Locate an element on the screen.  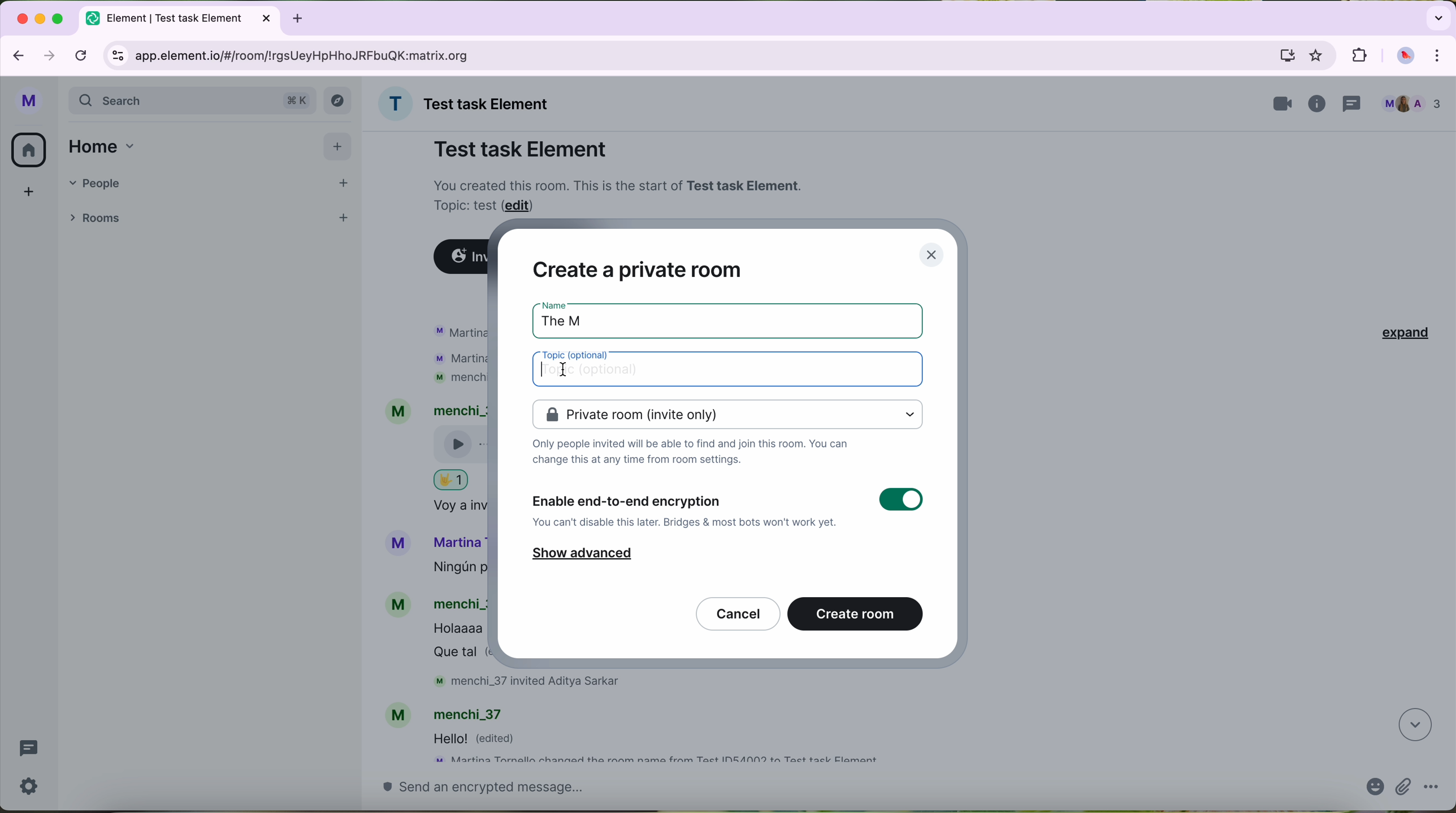
maximize is located at coordinates (59, 18).